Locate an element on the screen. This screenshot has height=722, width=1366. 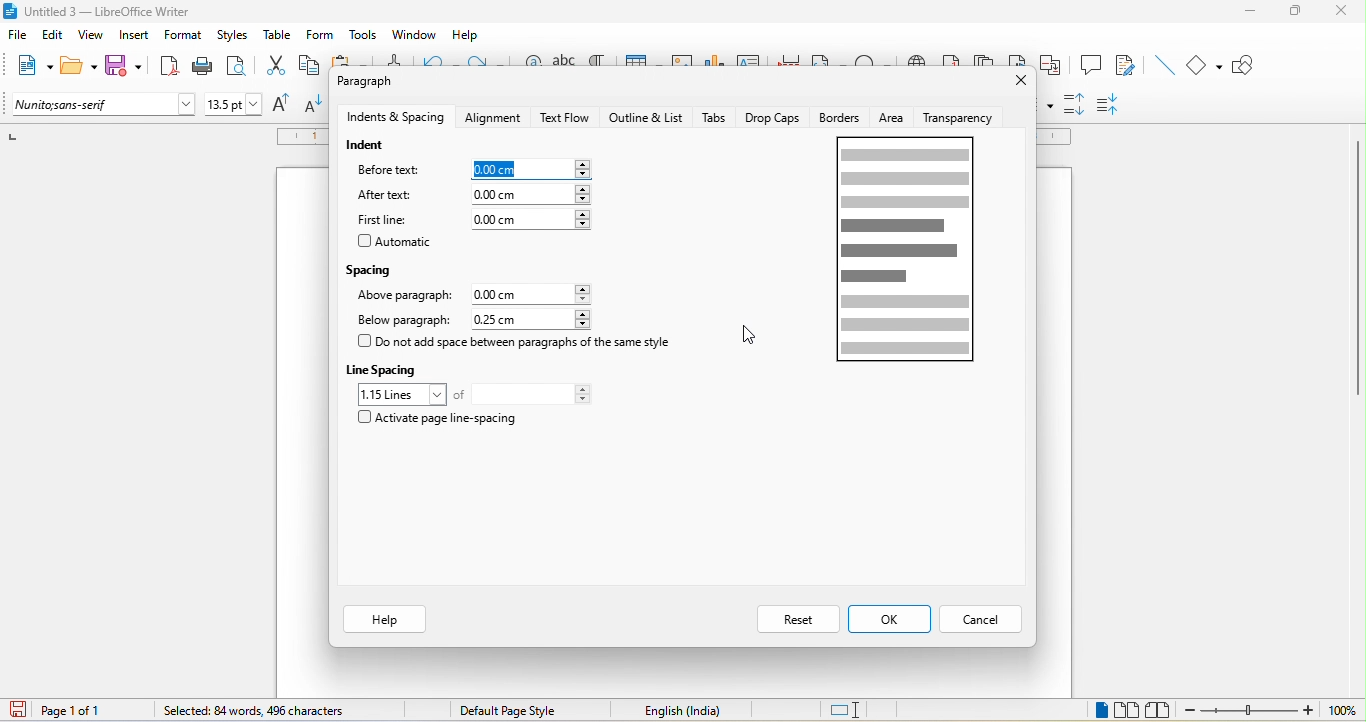
0.25 cm is located at coordinates (517, 320).